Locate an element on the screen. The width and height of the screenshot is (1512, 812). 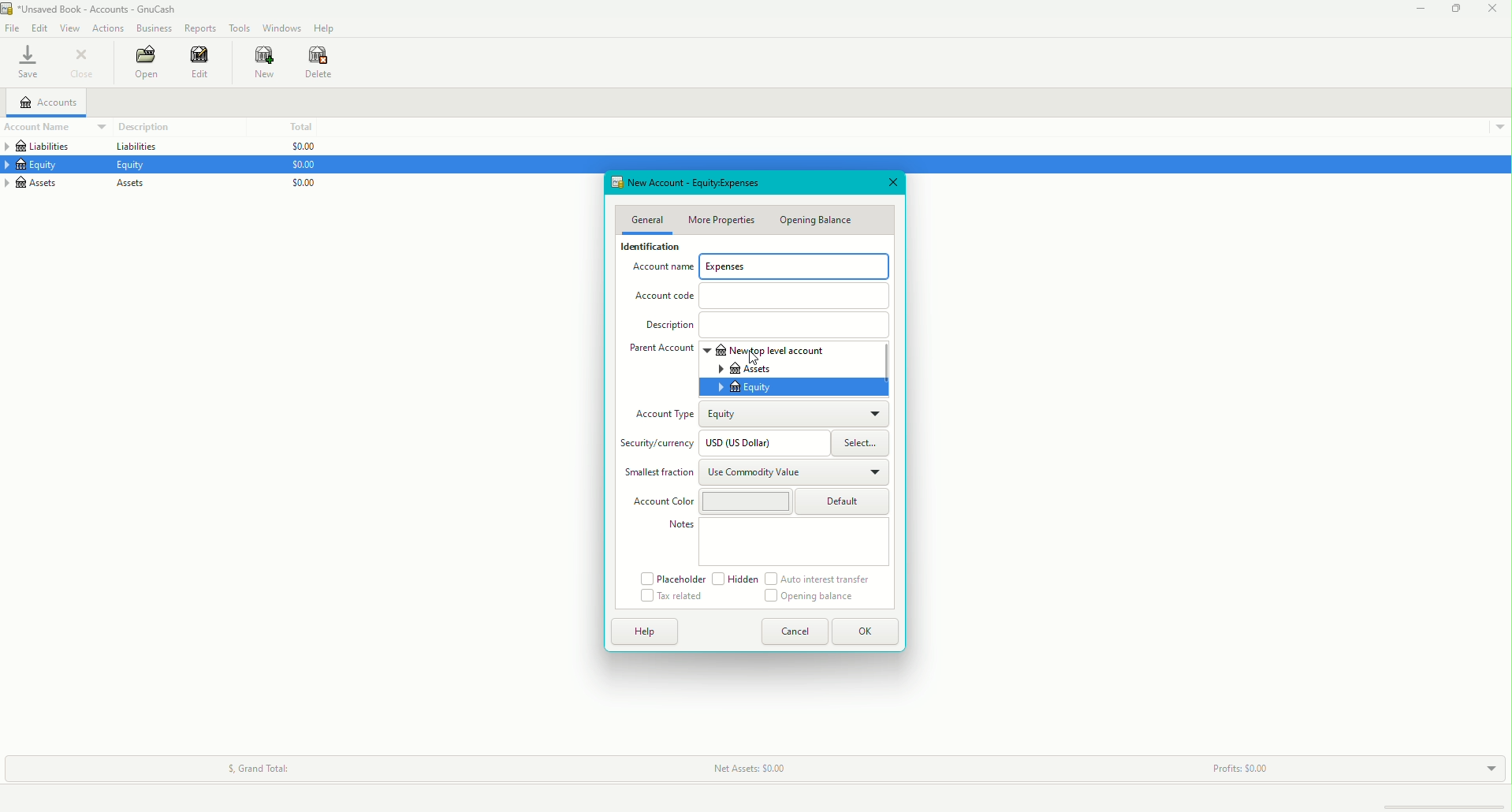
Parent Account is located at coordinates (663, 352).